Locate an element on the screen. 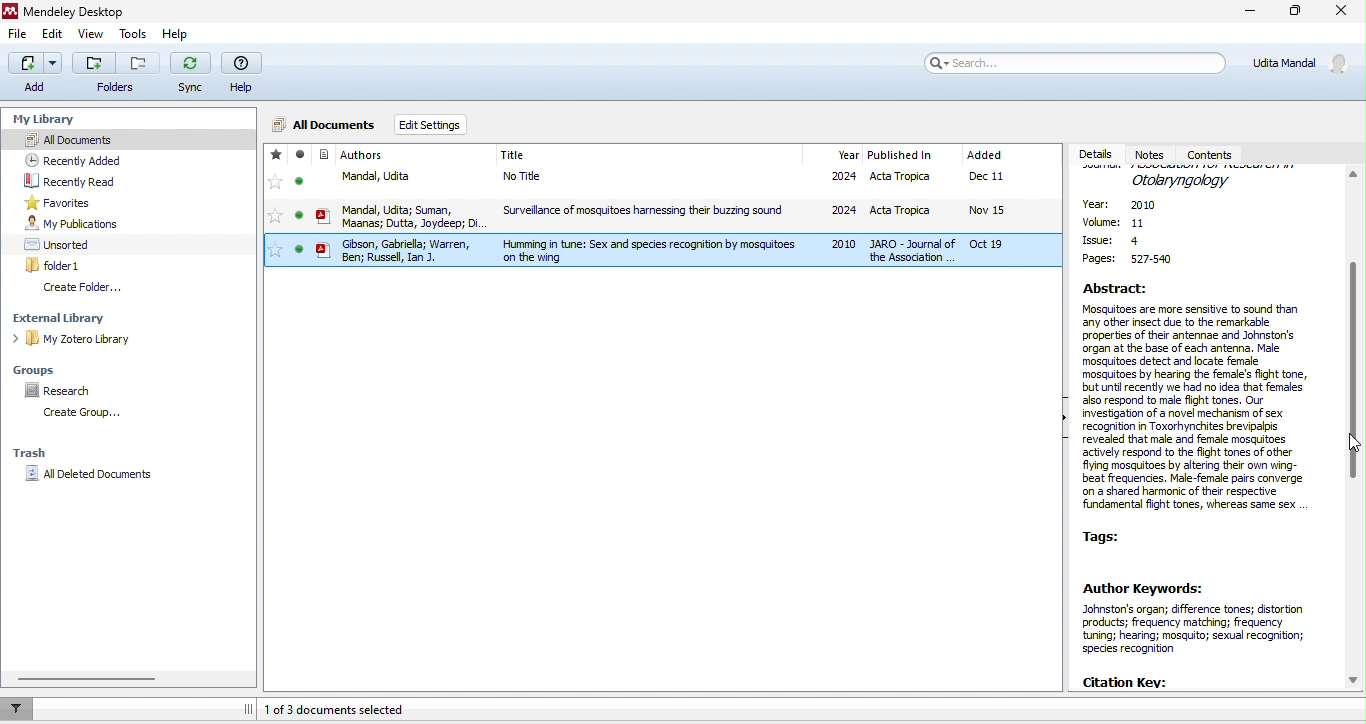   is located at coordinates (116, 72).